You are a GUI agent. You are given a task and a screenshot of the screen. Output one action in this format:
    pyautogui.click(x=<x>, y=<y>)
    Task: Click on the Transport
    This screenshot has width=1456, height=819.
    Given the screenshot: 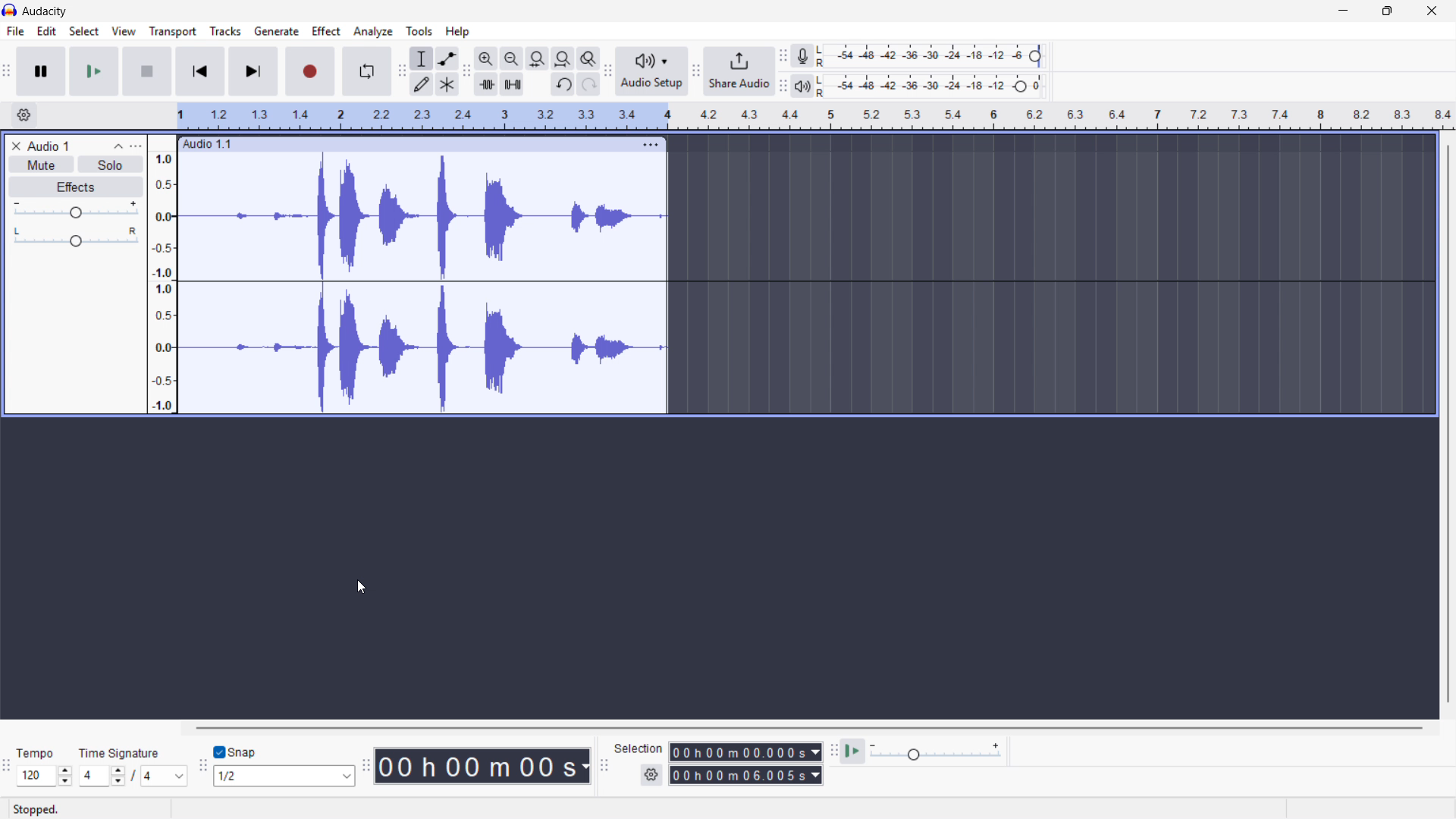 What is the action you would take?
    pyautogui.click(x=173, y=32)
    